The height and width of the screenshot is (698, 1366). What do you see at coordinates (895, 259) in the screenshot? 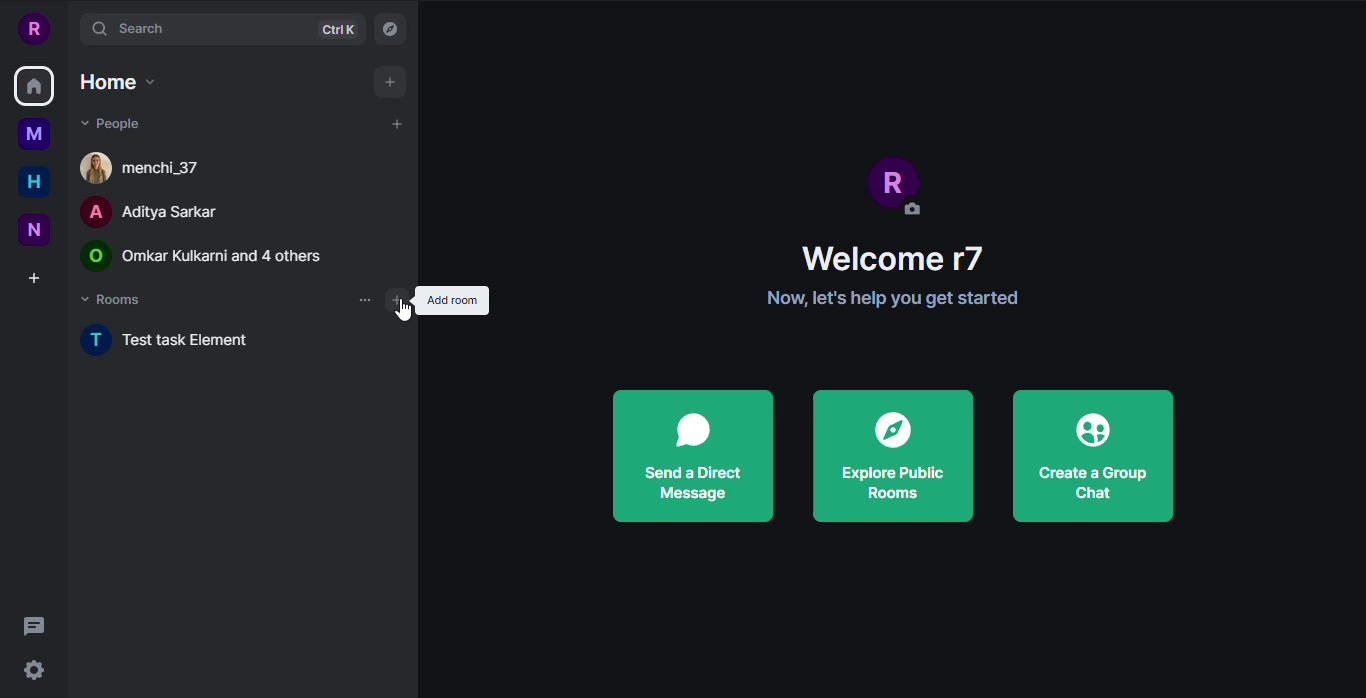
I see `welcome` at bounding box center [895, 259].